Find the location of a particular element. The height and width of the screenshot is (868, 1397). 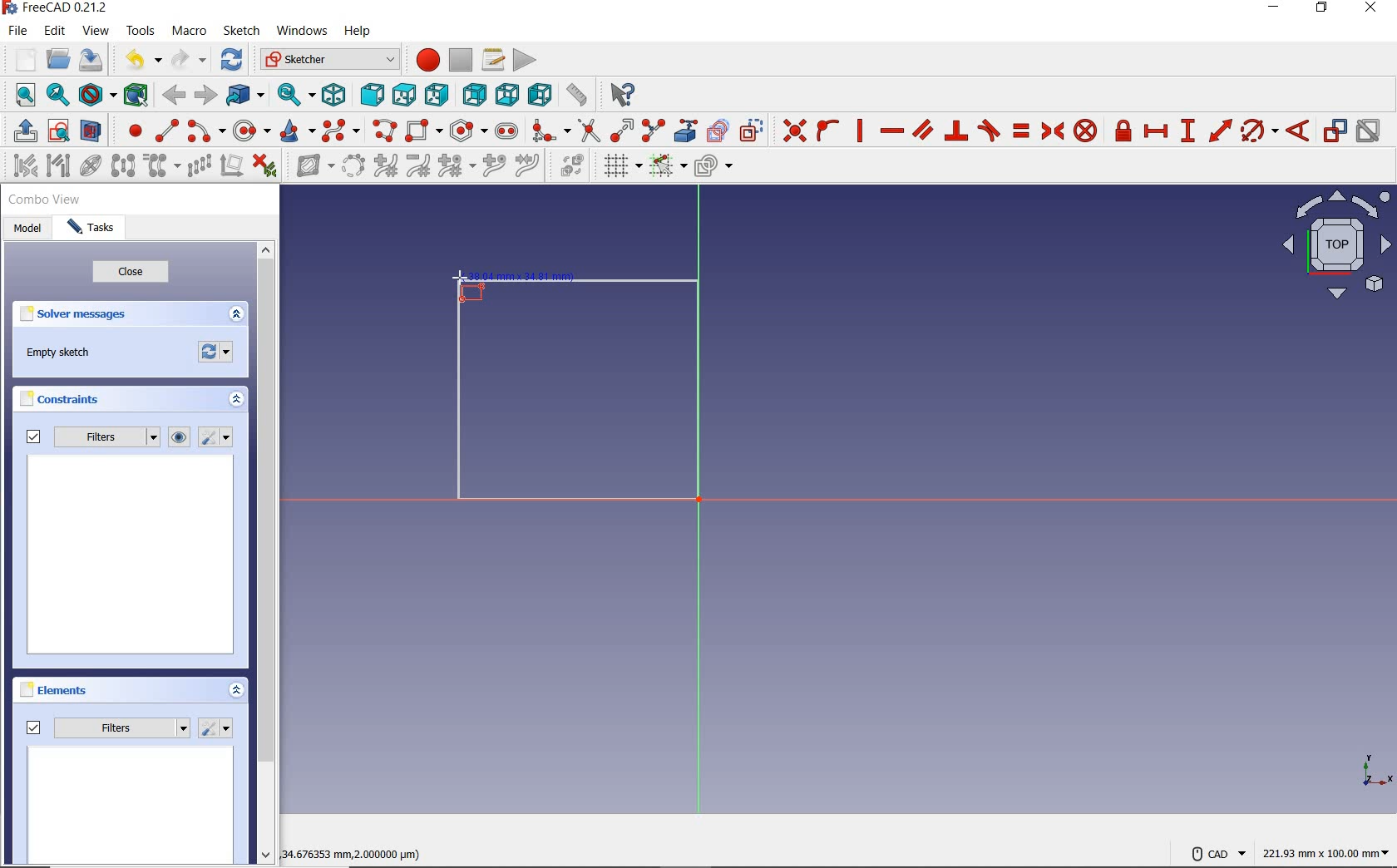

fit selection is located at coordinates (57, 96).